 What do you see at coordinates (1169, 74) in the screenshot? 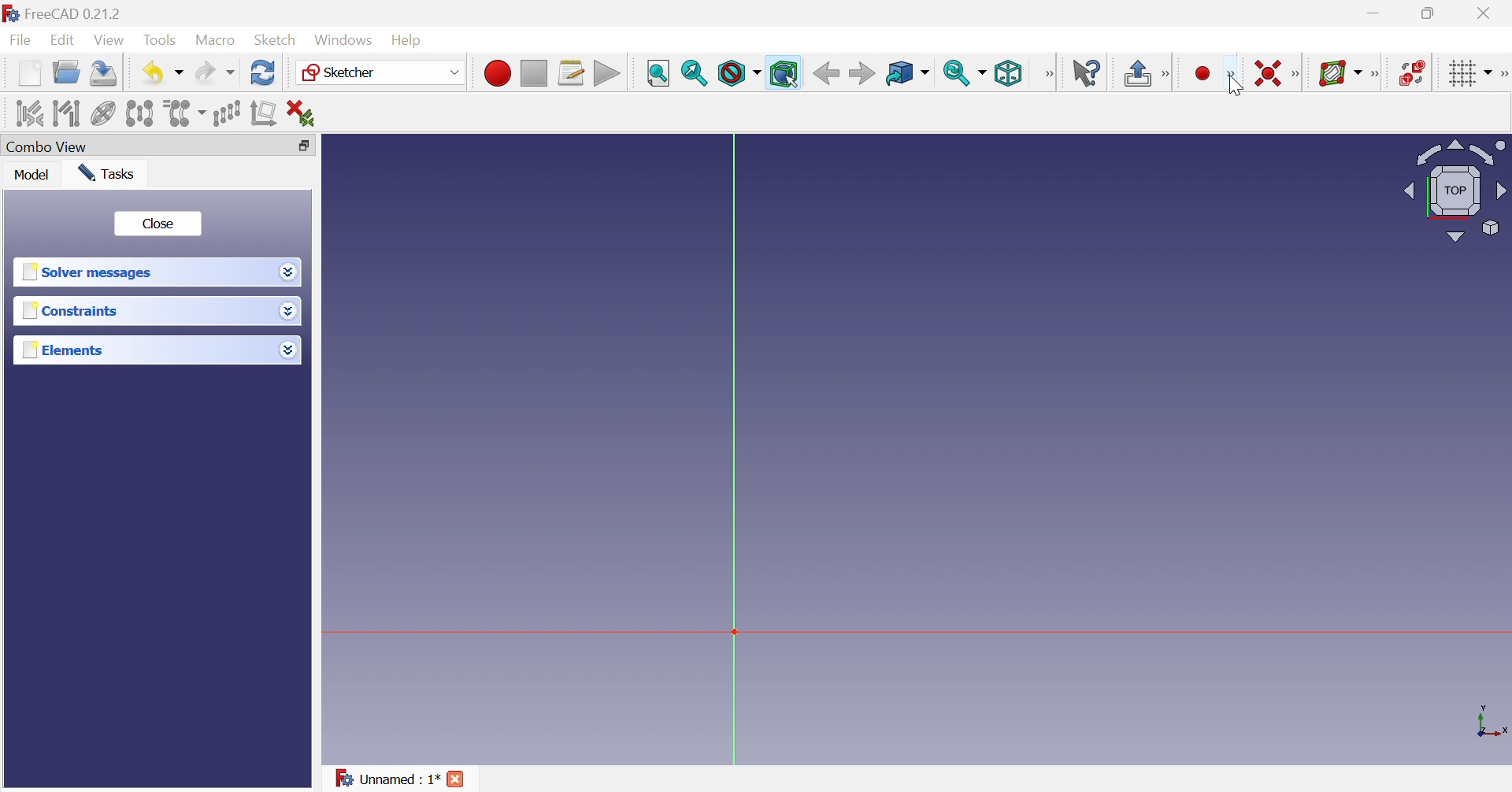
I see `Sketcher edit mode` at bounding box center [1169, 74].